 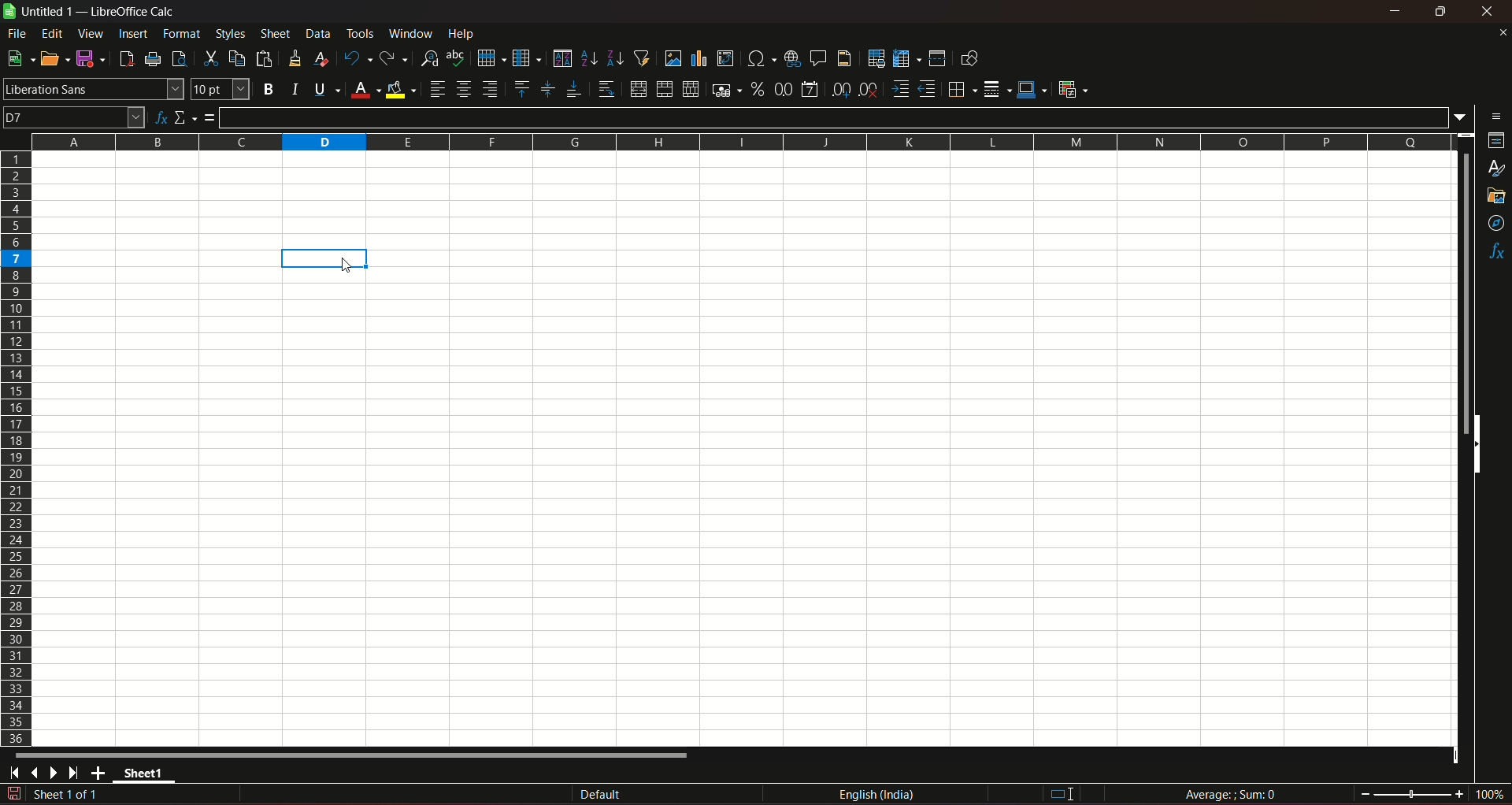 What do you see at coordinates (276, 34) in the screenshot?
I see `sheet` at bounding box center [276, 34].